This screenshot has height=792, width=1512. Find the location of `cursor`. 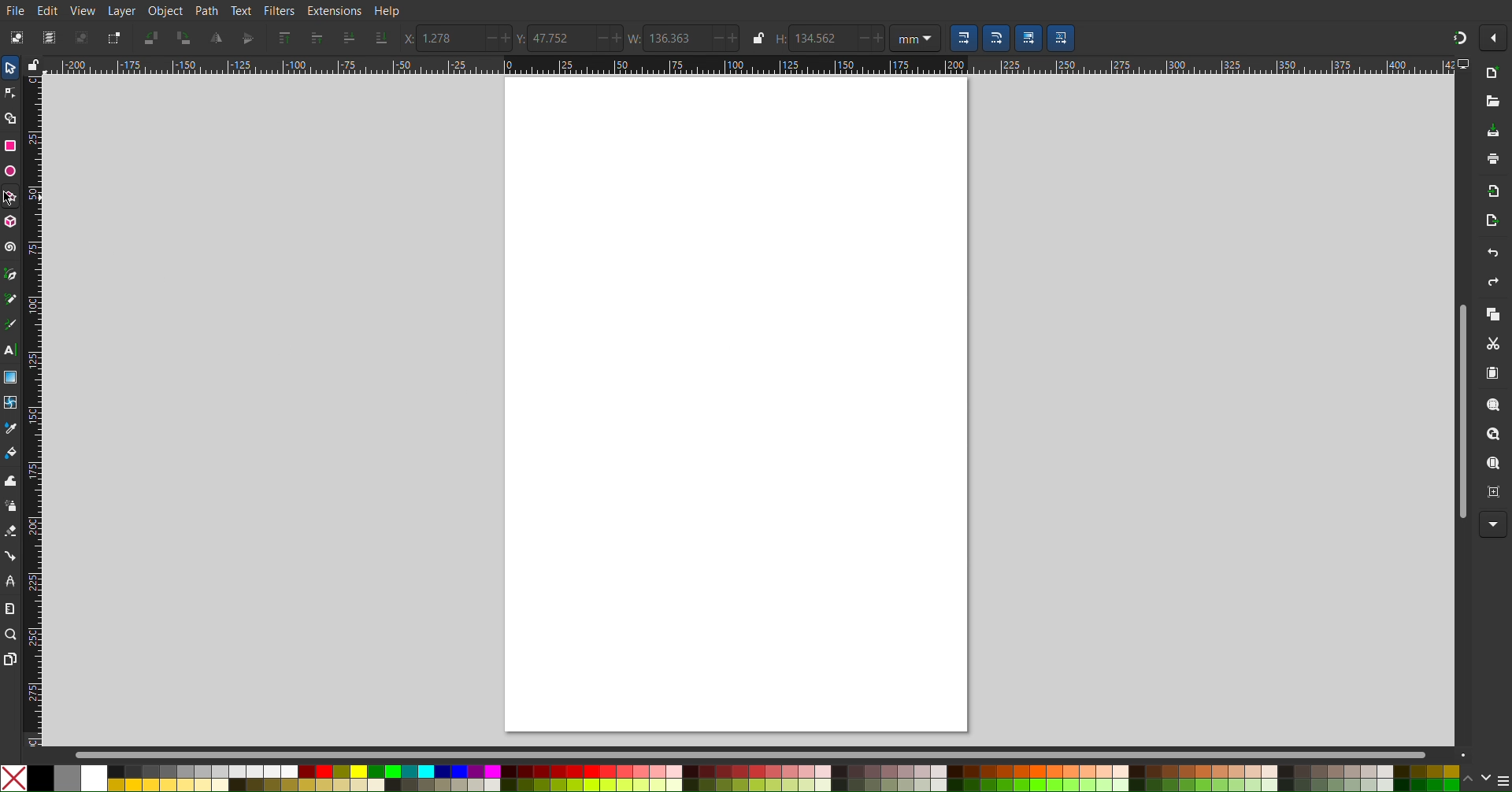

cursor is located at coordinates (20, 197).